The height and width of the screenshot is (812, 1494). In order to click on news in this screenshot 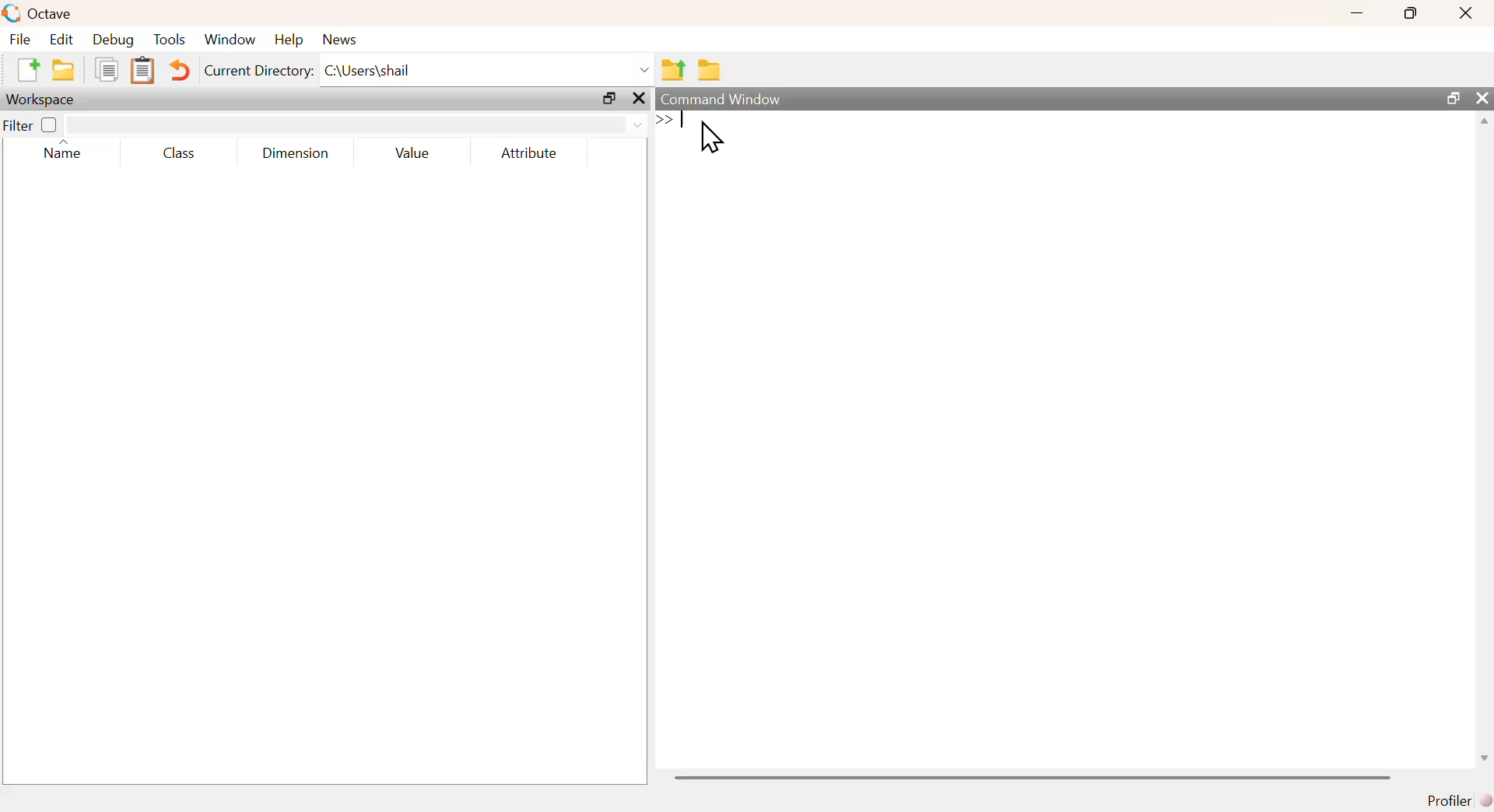, I will do `click(347, 39)`.